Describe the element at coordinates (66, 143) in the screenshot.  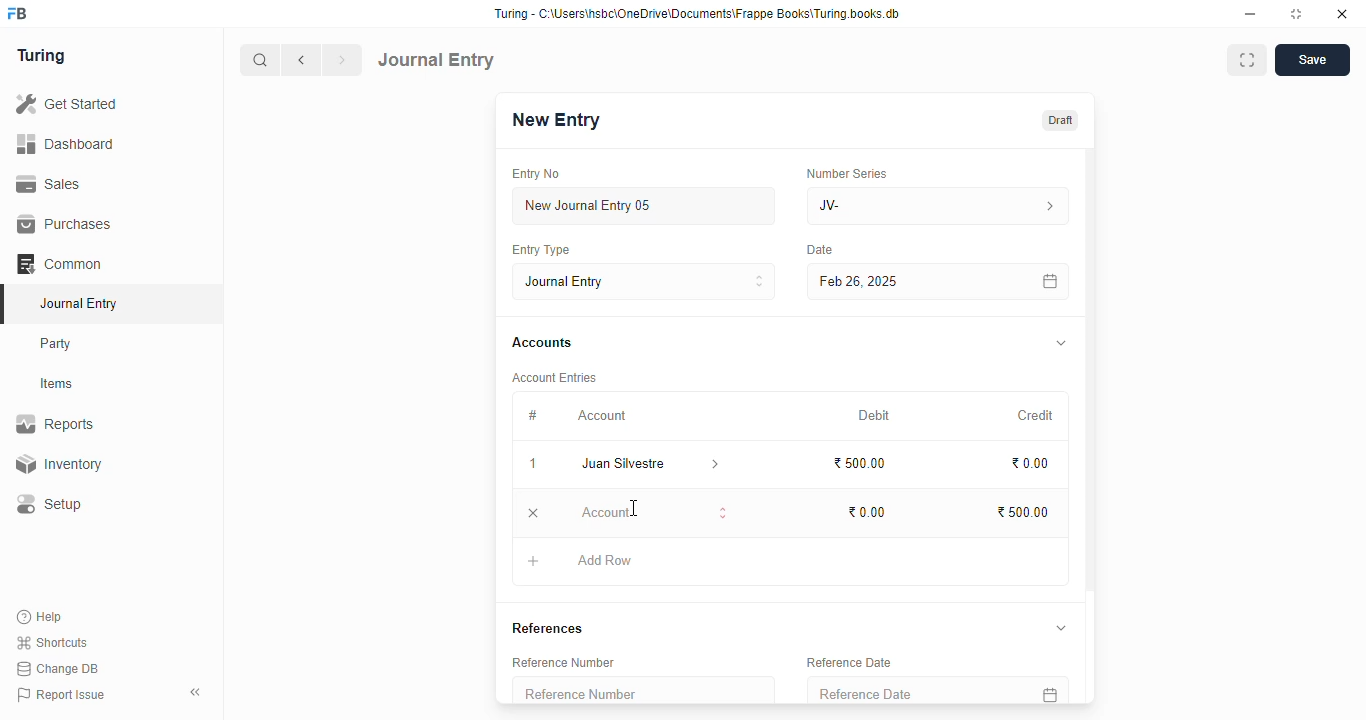
I see `dashboard` at that location.